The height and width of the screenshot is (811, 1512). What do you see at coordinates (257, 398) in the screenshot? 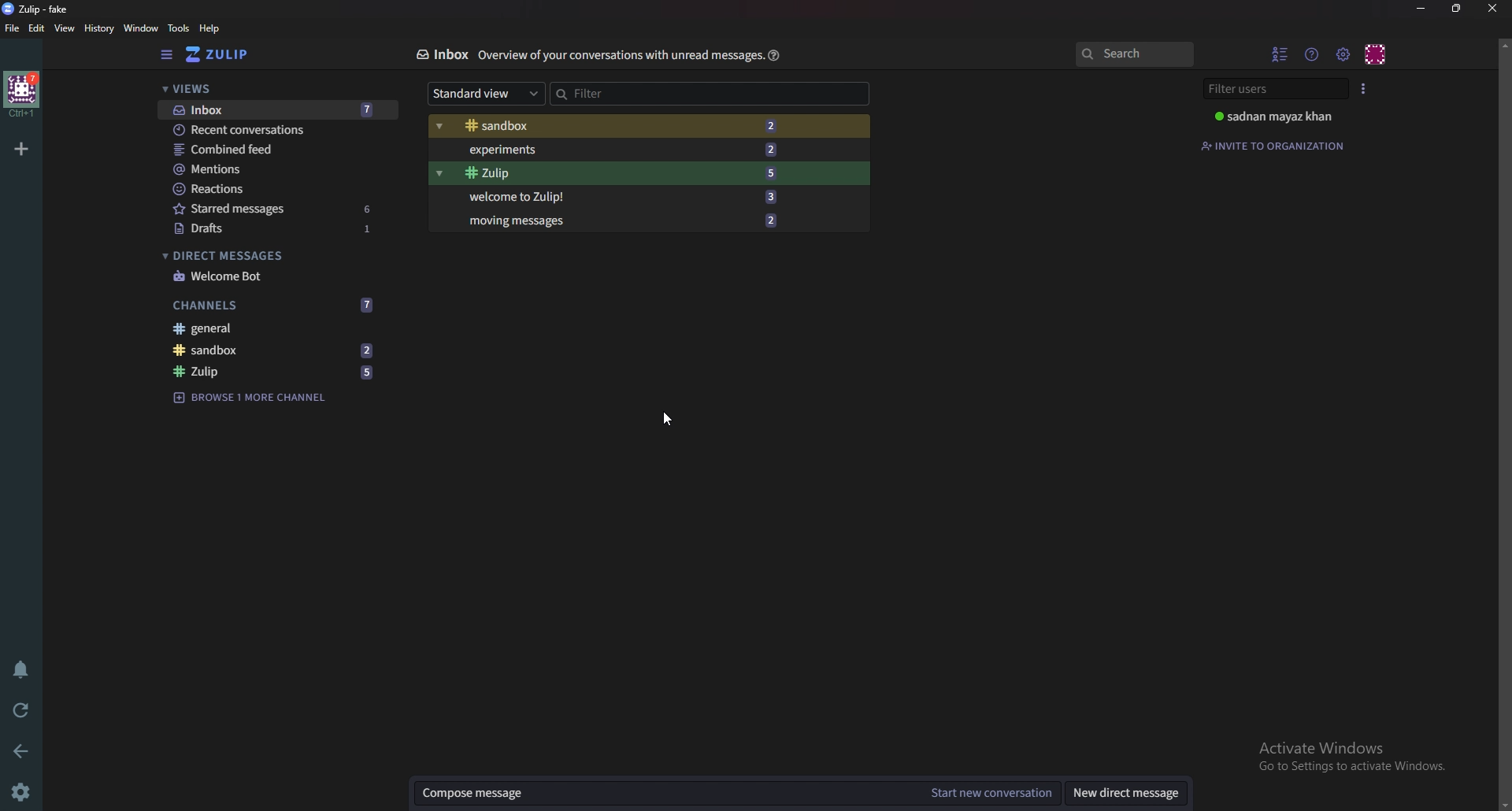
I see `Browse 1 more channel` at bounding box center [257, 398].